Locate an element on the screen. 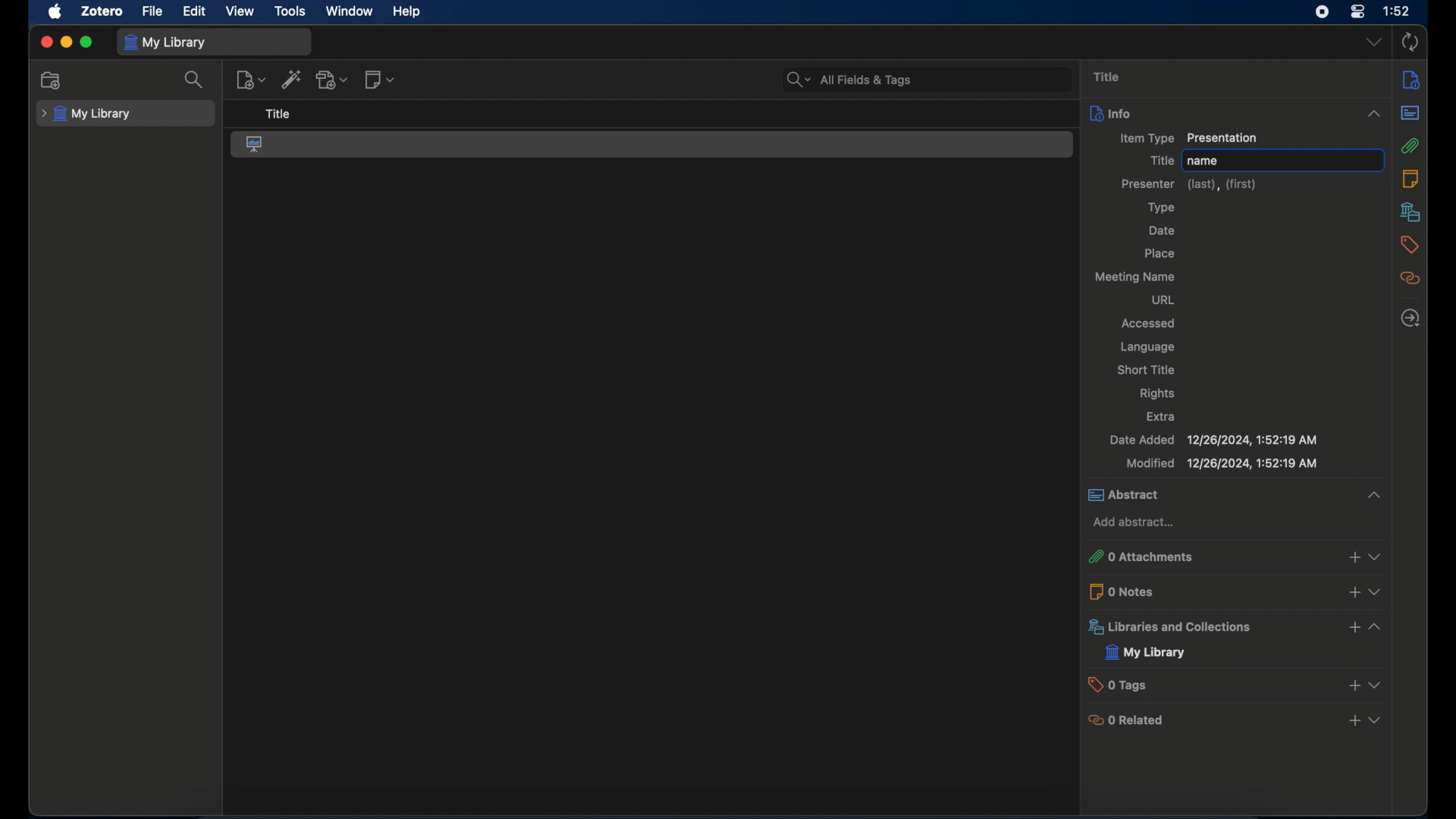 This screenshot has height=819, width=1456. title is located at coordinates (1106, 77).